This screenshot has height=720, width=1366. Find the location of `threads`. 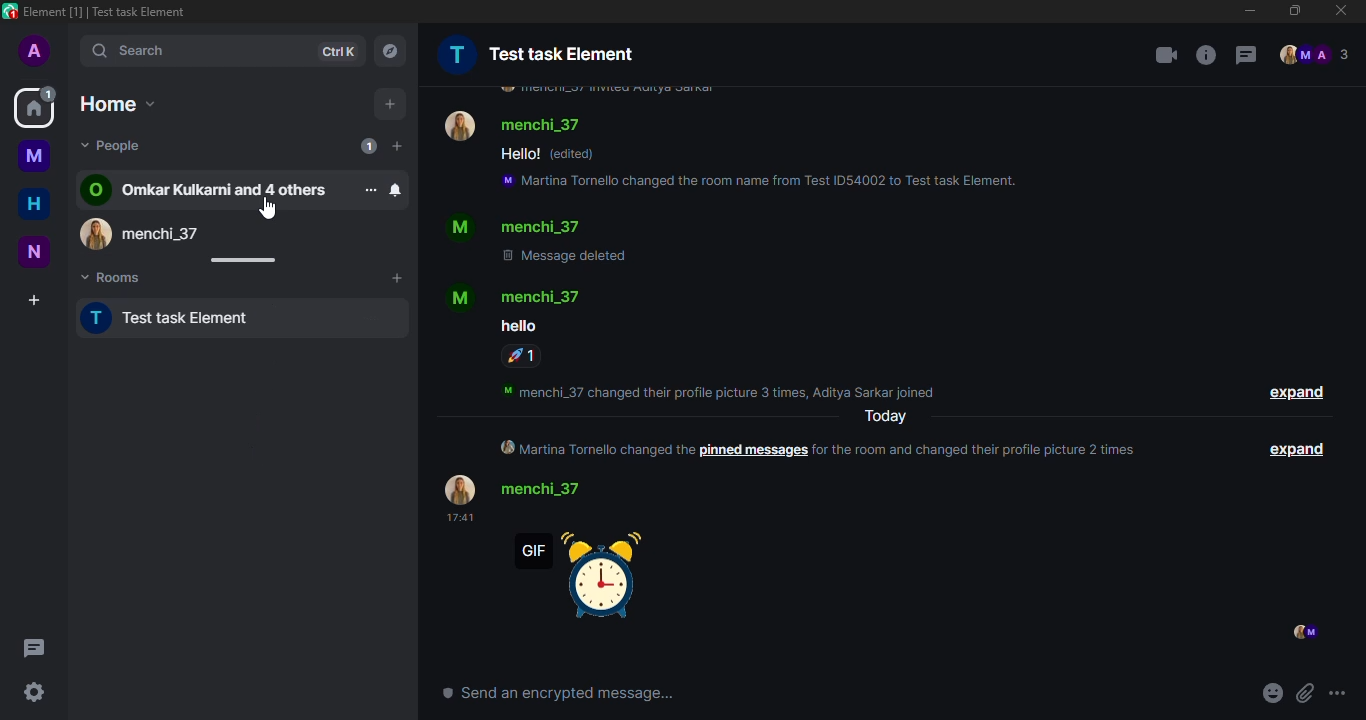

threads is located at coordinates (1245, 55).